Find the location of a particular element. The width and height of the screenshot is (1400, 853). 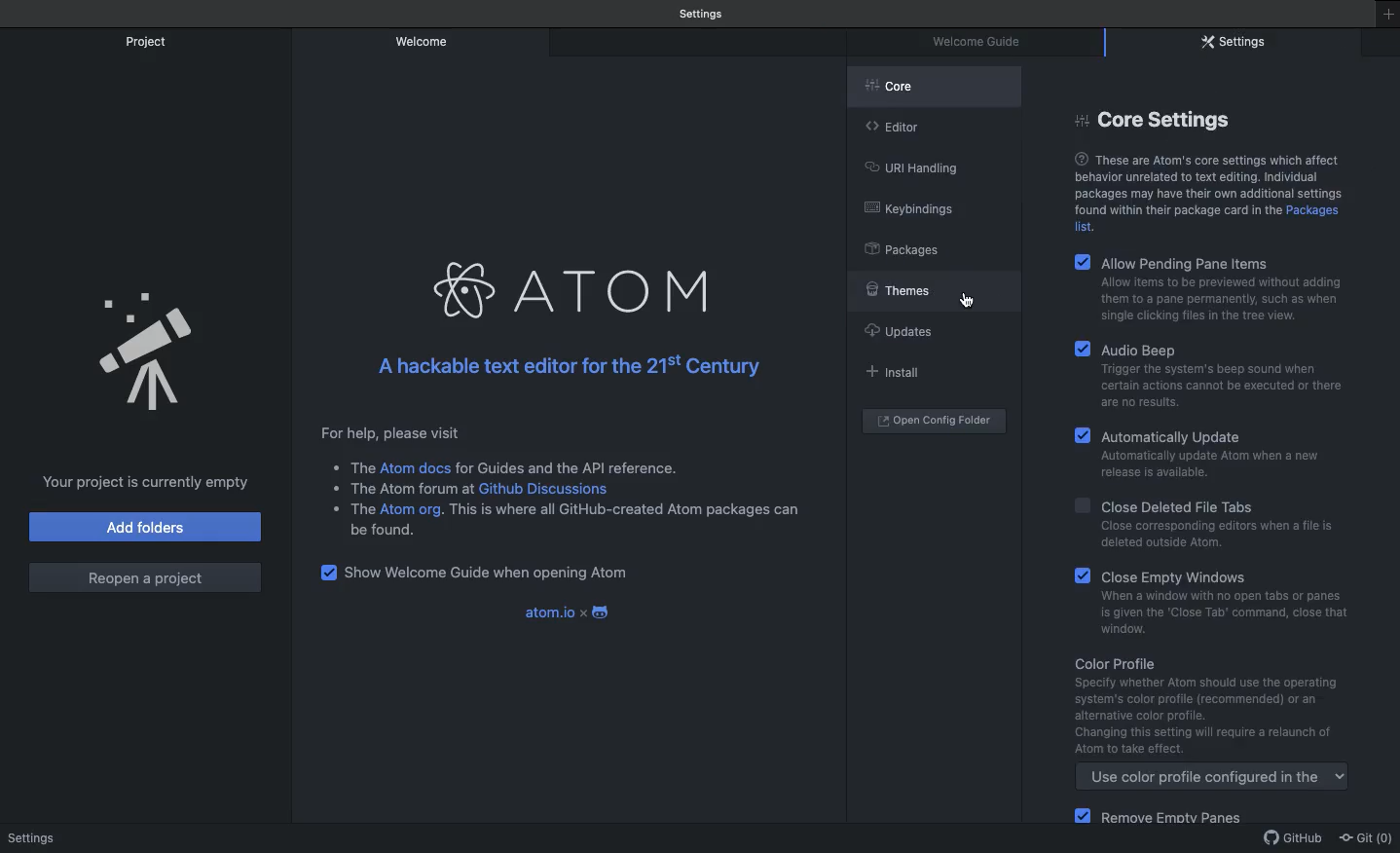

For help, please visit is located at coordinates (390, 431).